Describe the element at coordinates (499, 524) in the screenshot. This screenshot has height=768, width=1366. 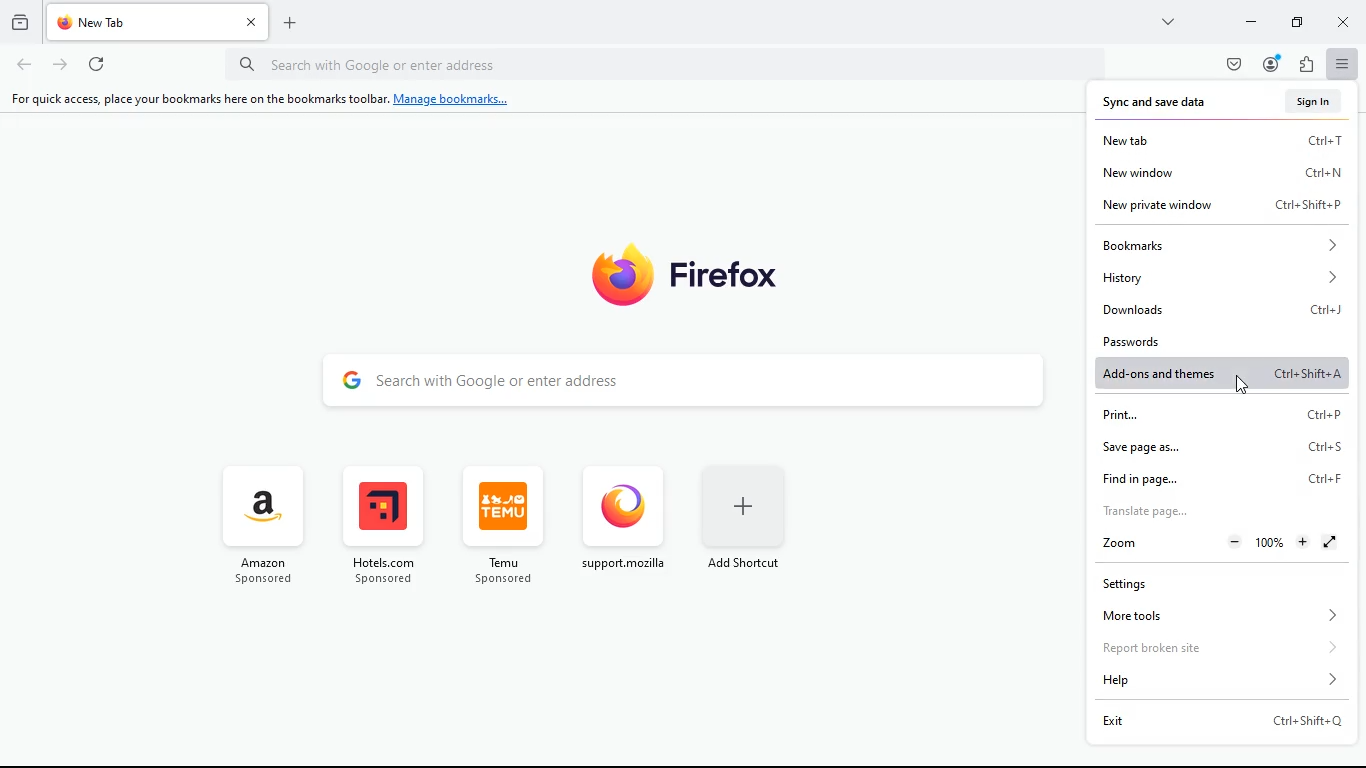
I see `temu` at that location.